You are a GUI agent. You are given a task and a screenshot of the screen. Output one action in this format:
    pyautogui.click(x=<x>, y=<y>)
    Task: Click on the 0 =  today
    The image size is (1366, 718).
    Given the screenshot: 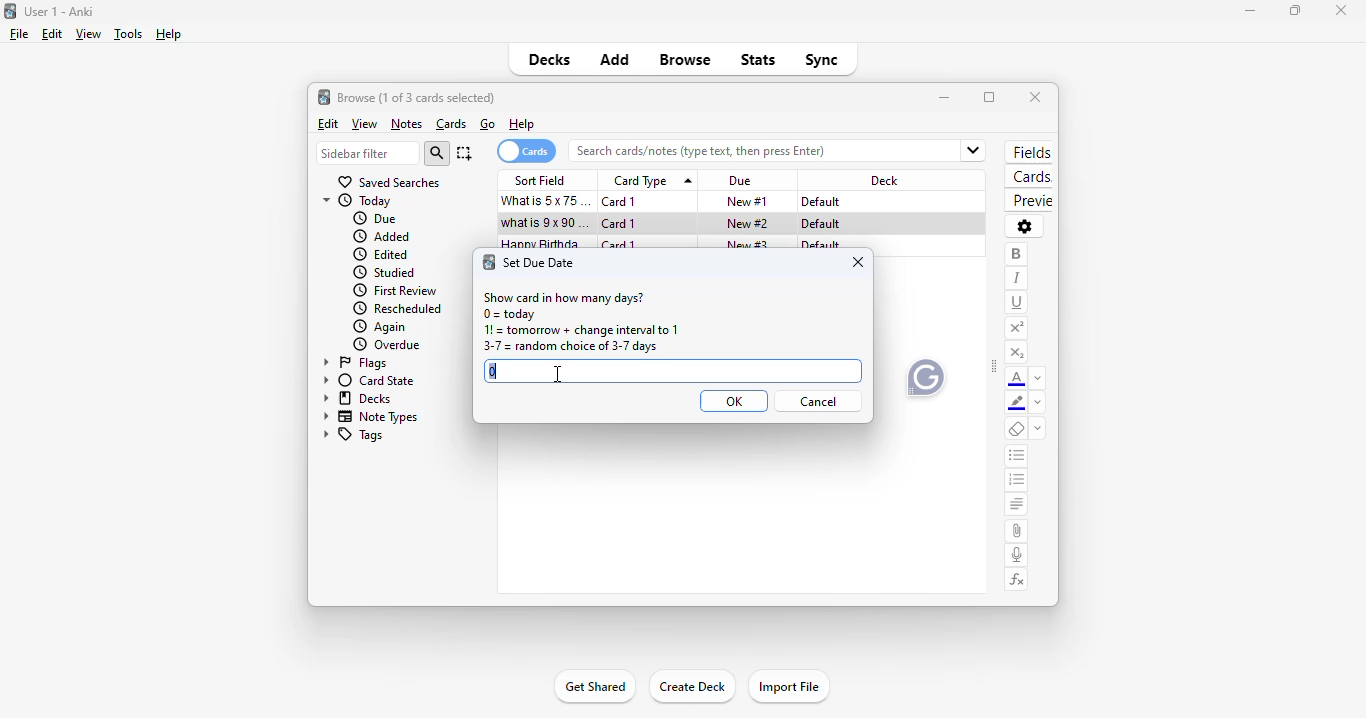 What is the action you would take?
    pyautogui.click(x=509, y=315)
    